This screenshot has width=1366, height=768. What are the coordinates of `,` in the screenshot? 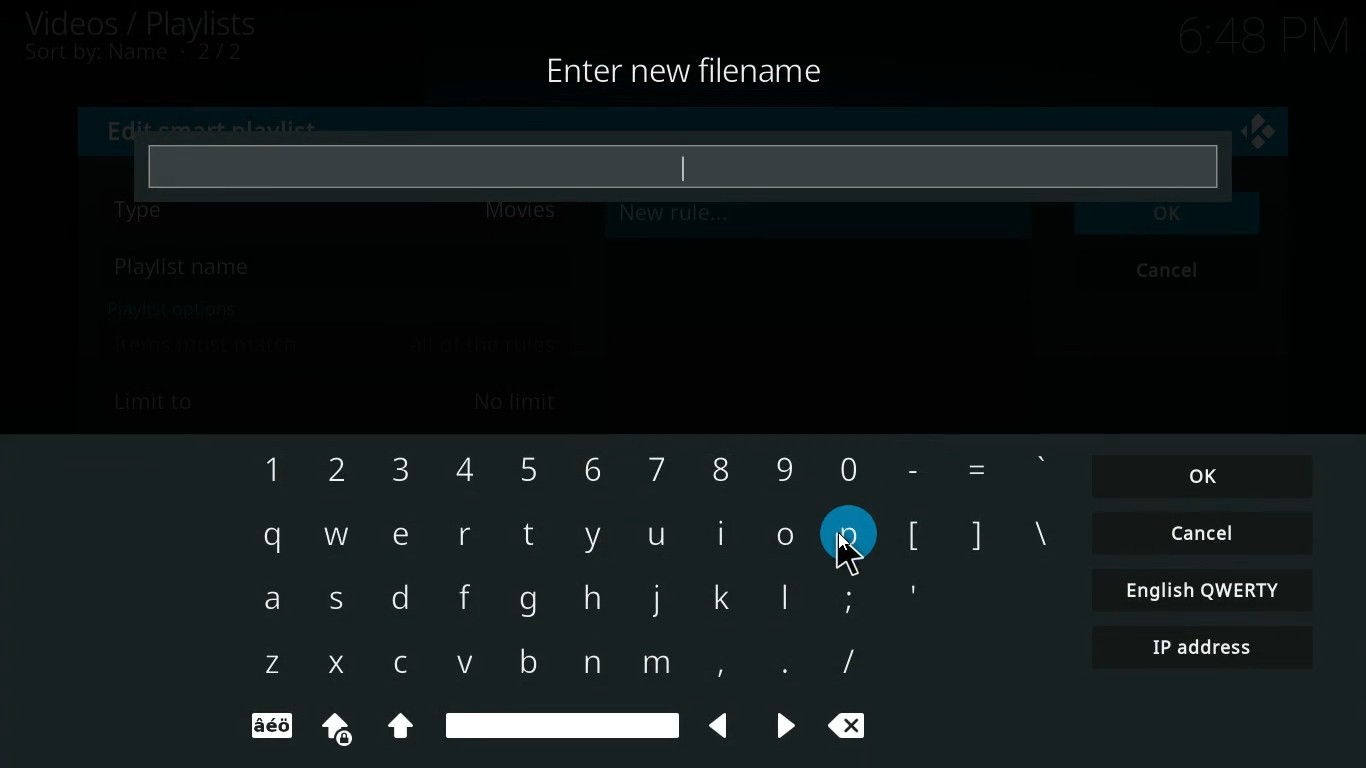 It's located at (713, 665).